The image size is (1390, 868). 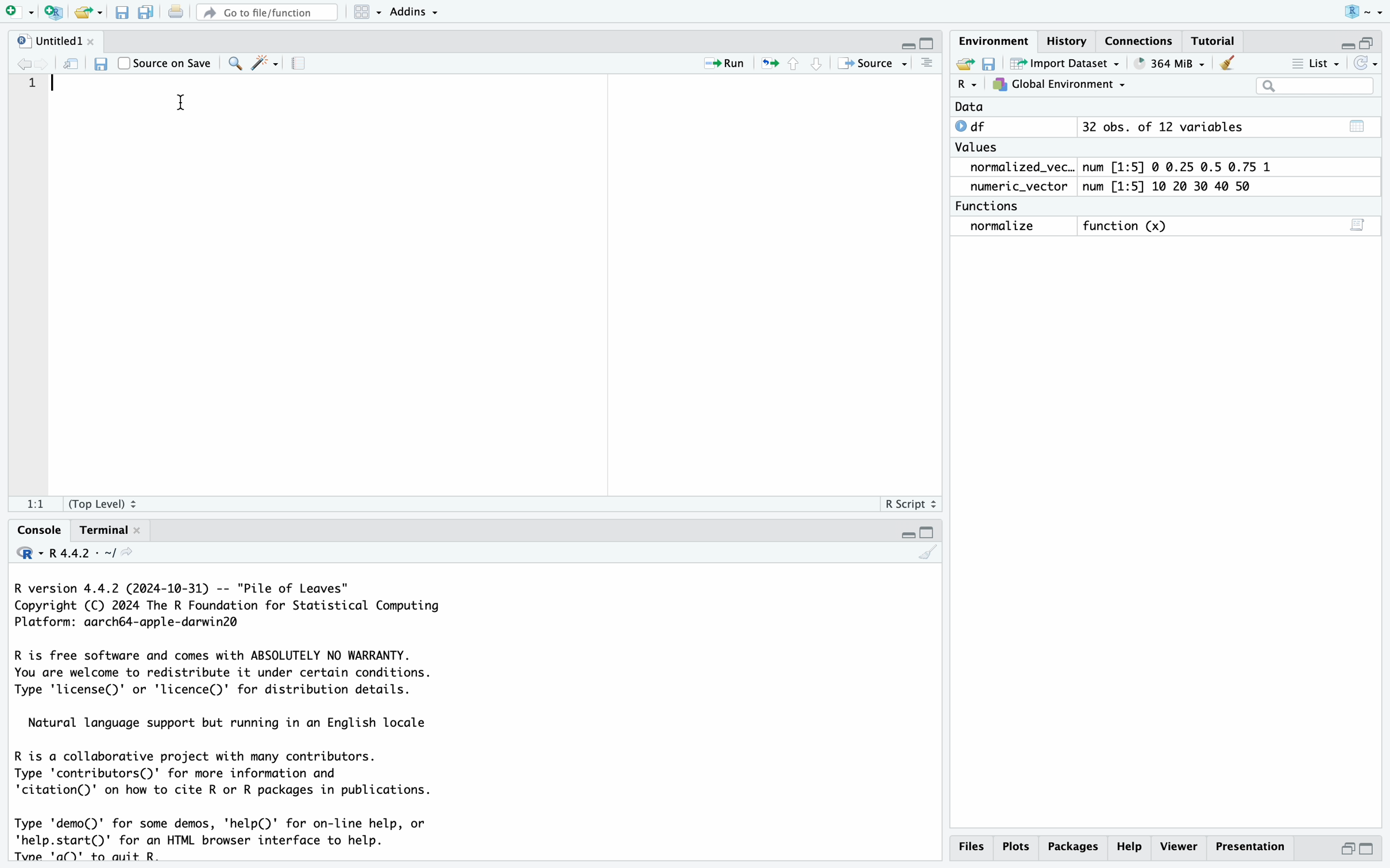 What do you see at coordinates (970, 107) in the screenshot?
I see `Data` at bounding box center [970, 107].